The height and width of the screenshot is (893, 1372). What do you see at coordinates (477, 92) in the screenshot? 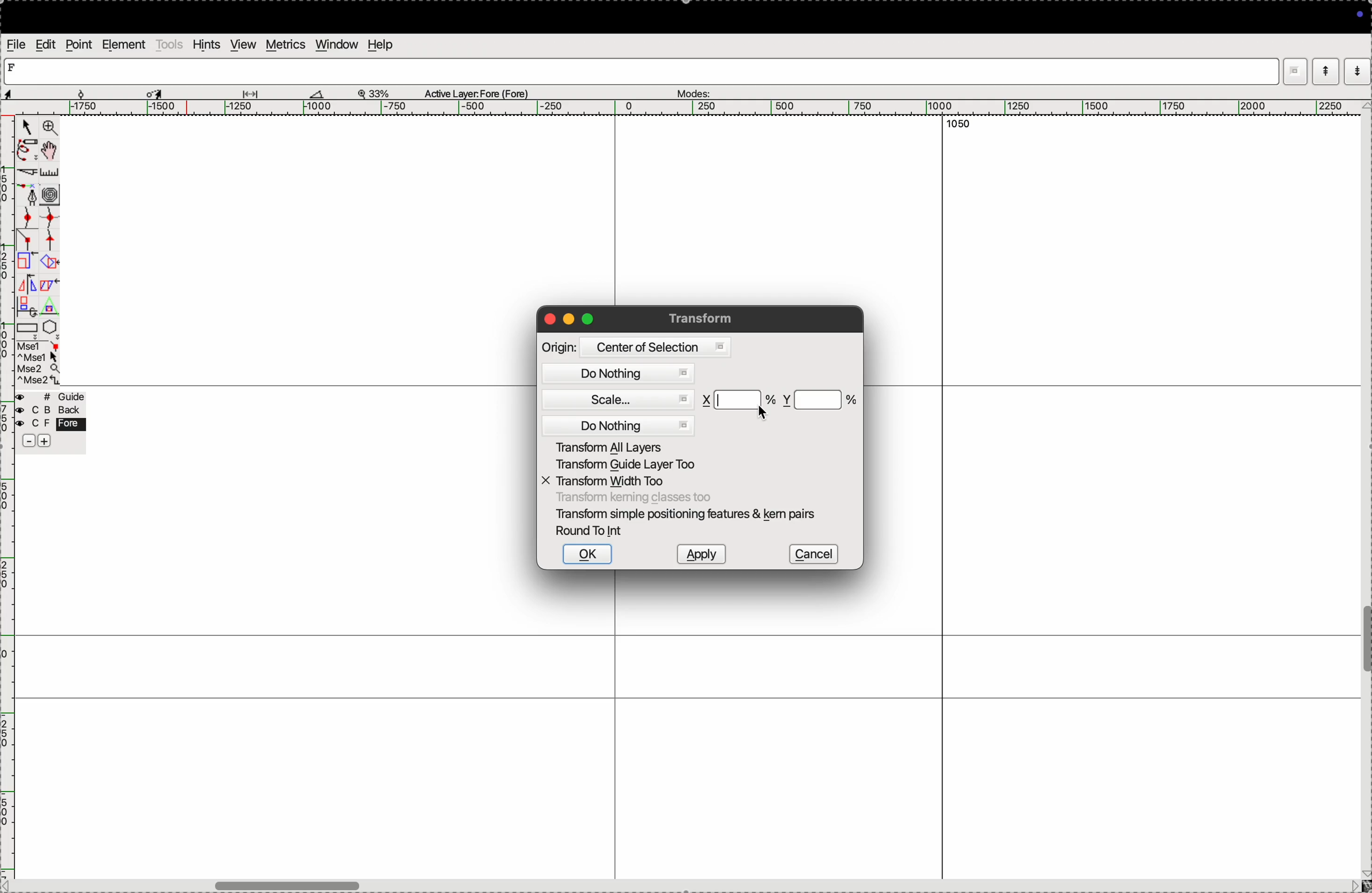
I see `Active layer` at bounding box center [477, 92].